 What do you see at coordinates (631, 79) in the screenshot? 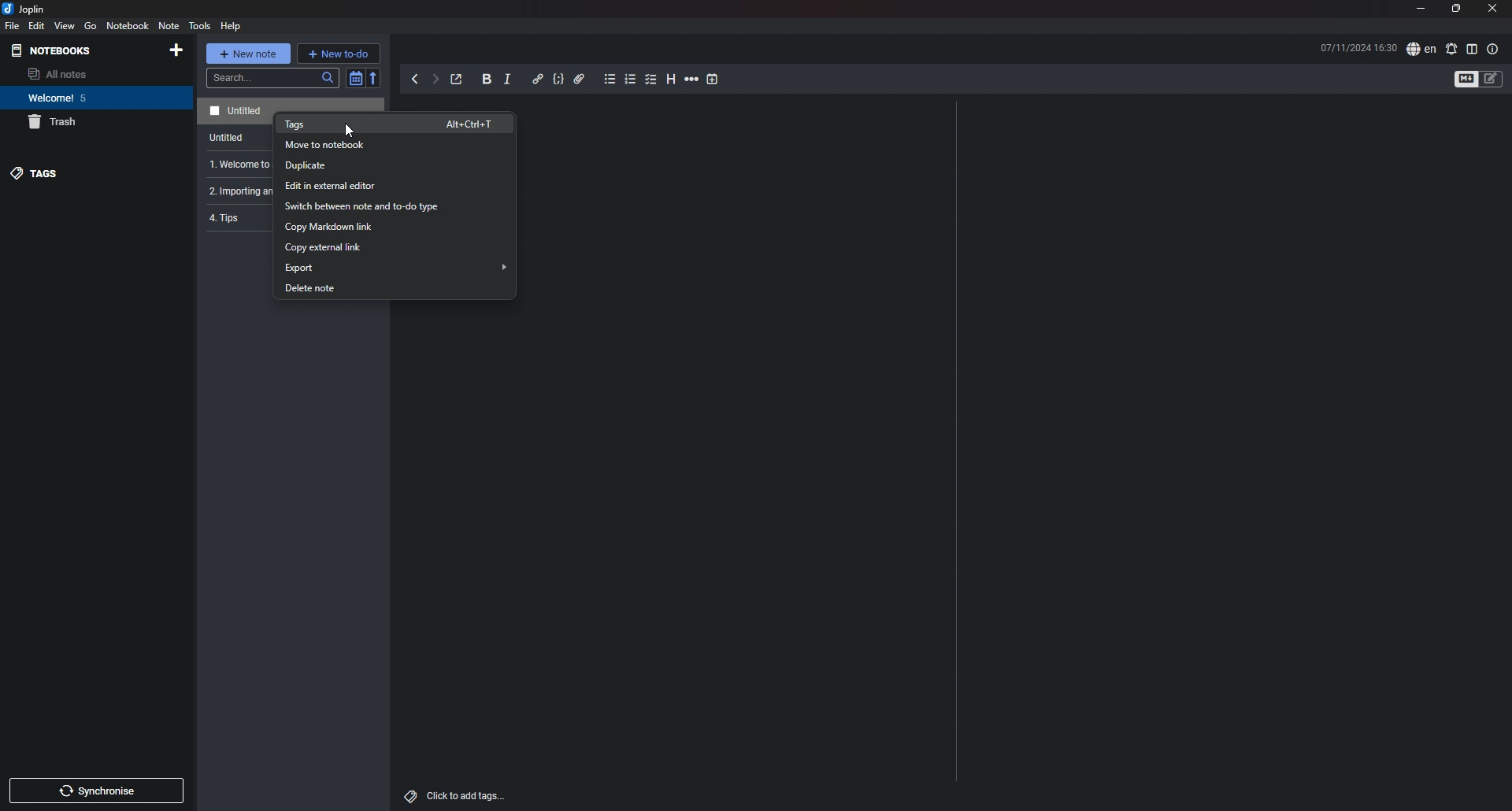
I see `numbered list` at bounding box center [631, 79].